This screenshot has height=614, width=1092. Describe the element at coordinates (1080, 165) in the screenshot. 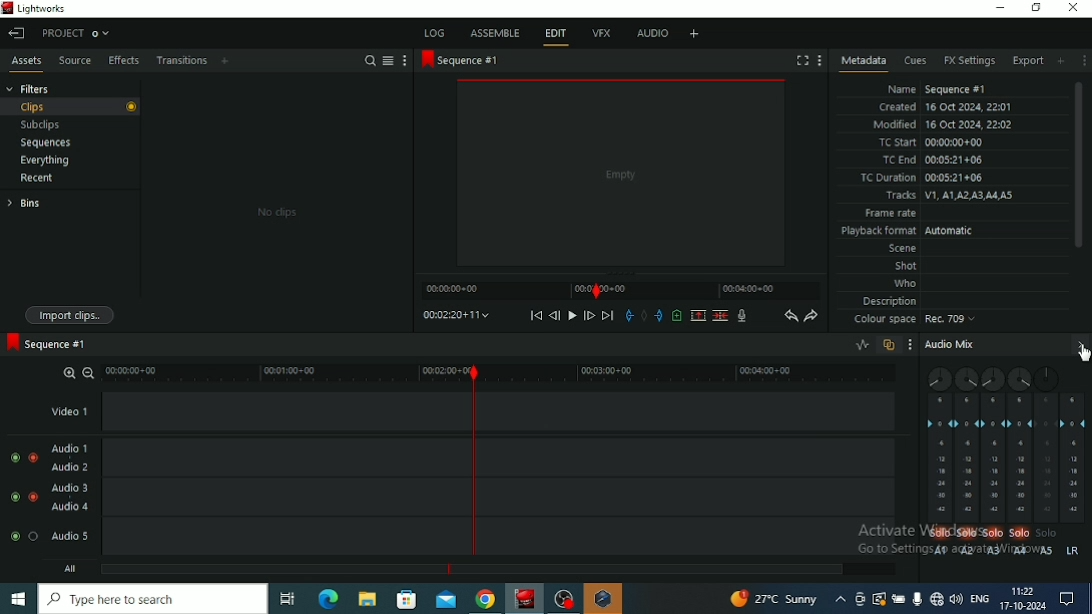

I see `Vertical scrollbar` at that location.